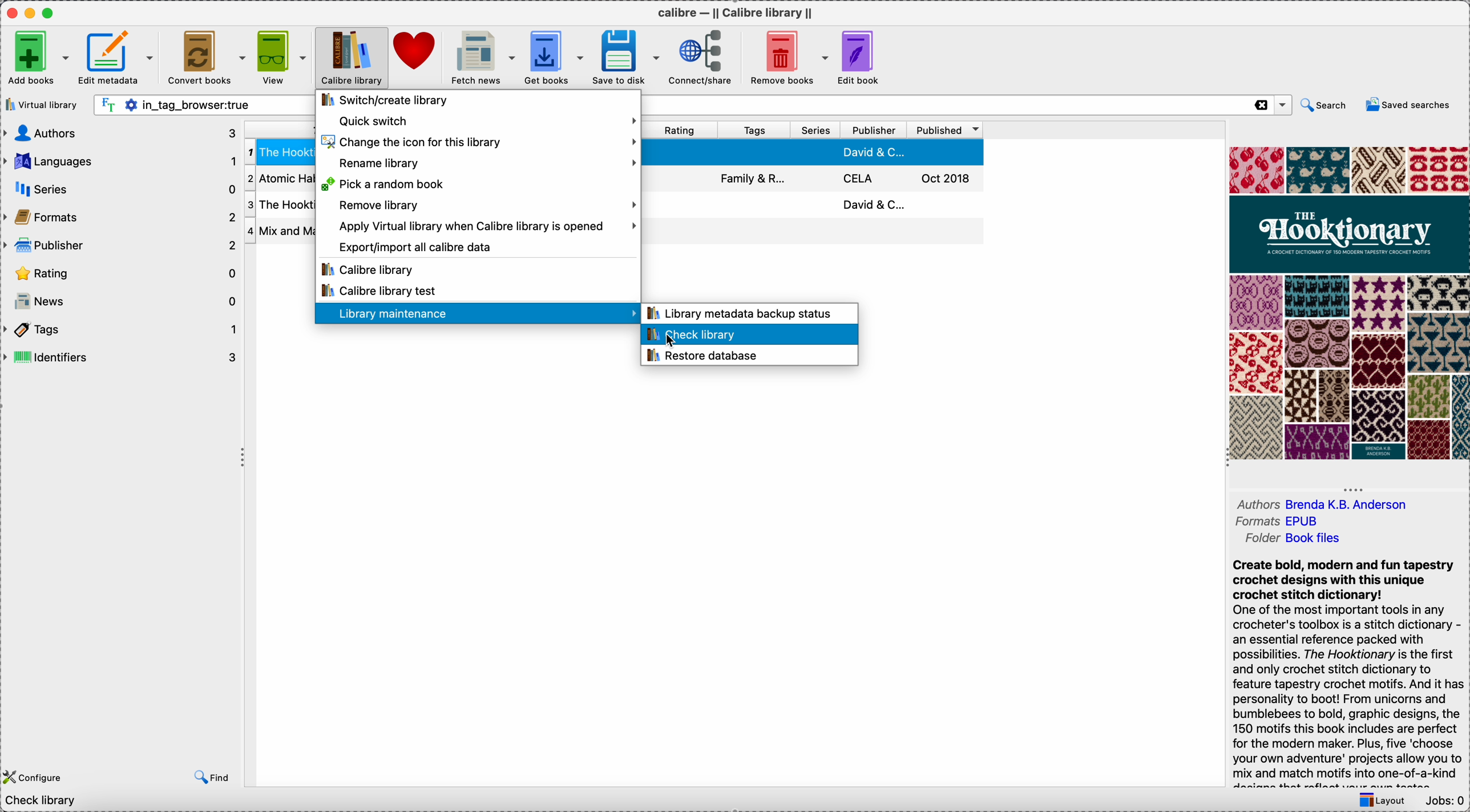 This screenshot has height=812, width=1470. I want to click on remove books, so click(786, 58).